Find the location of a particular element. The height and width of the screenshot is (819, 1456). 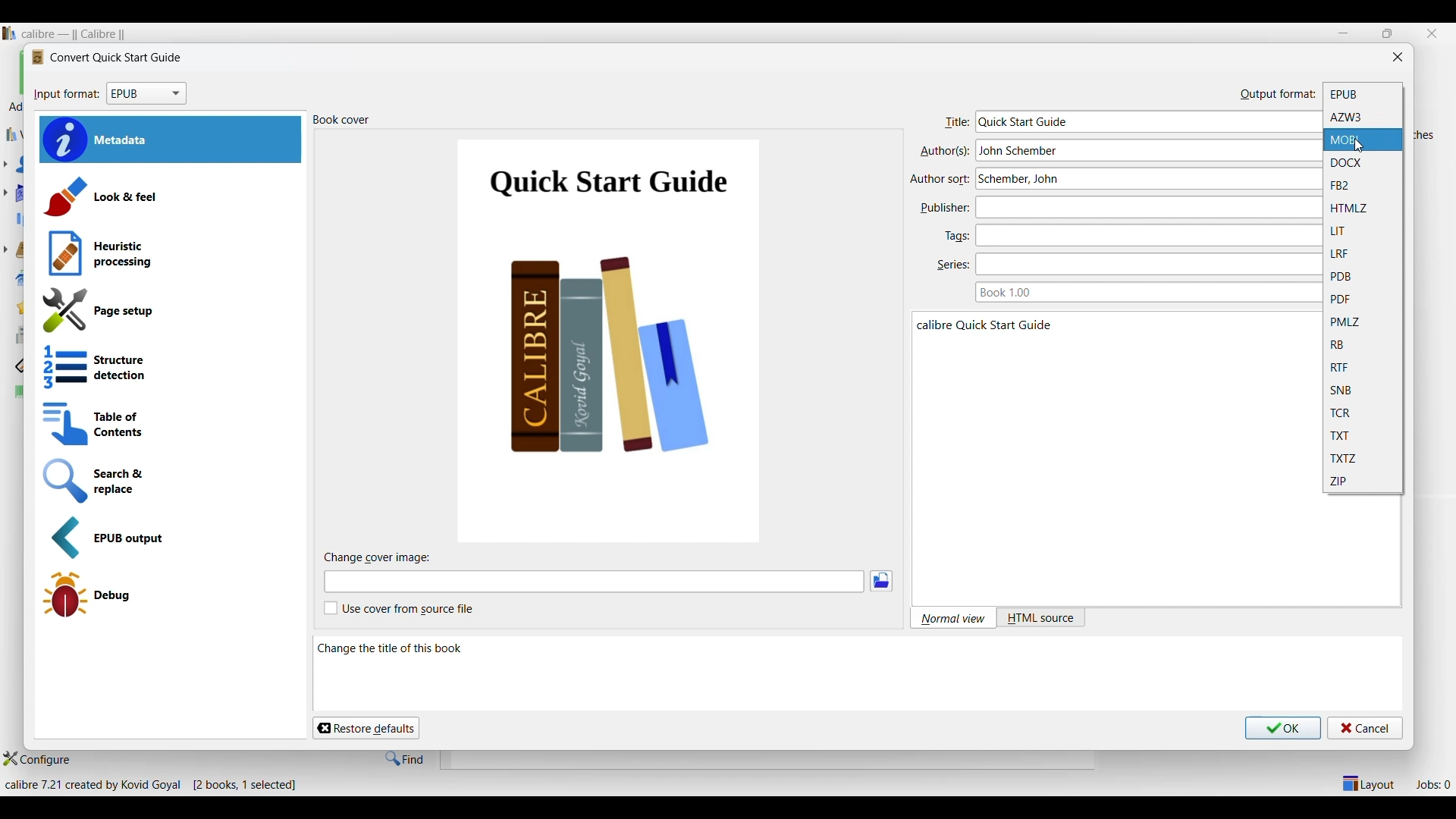

Format options is located at coordinates (146, 94).